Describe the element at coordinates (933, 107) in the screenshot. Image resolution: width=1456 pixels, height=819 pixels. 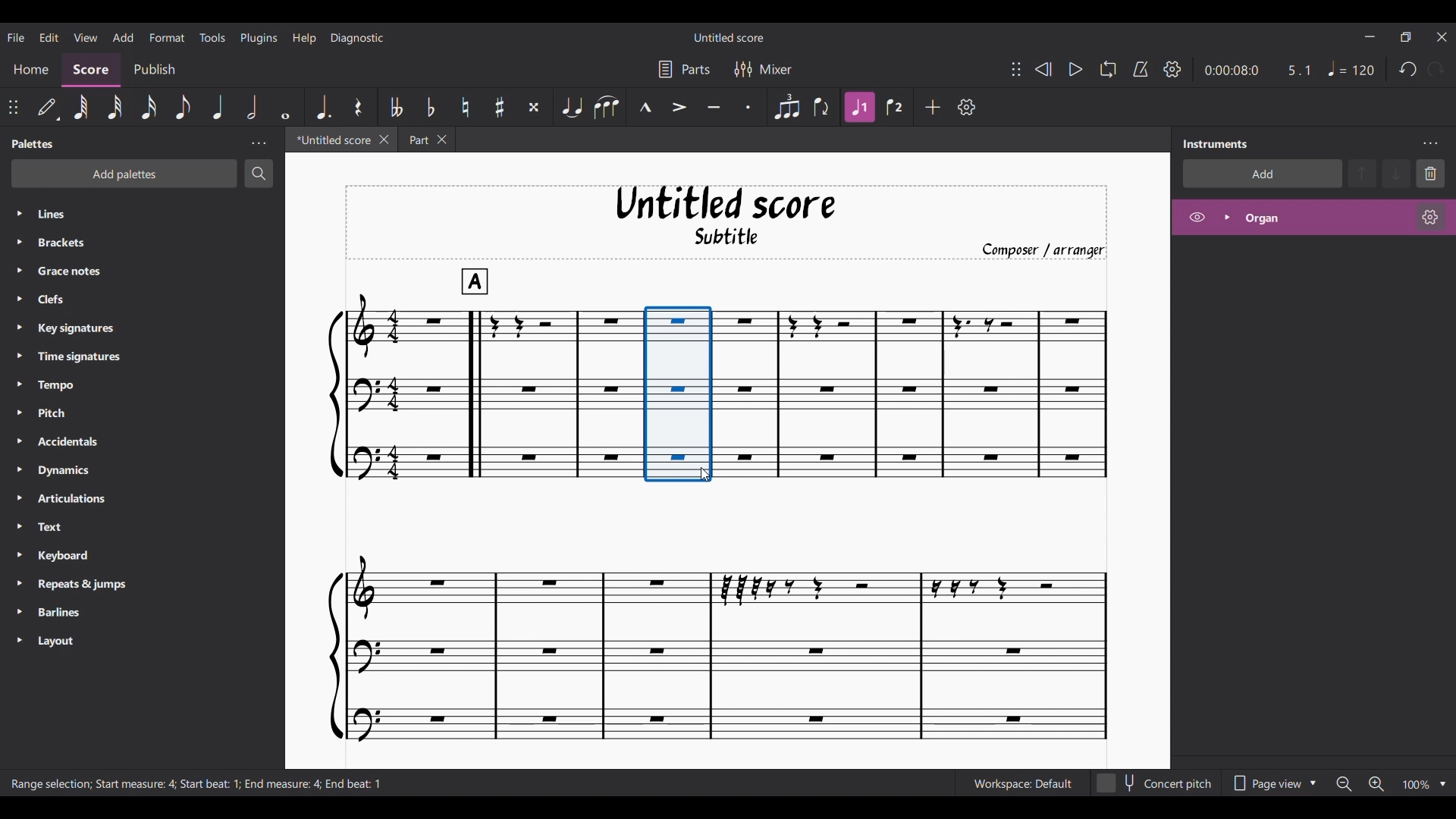
I see `Add` at that location.